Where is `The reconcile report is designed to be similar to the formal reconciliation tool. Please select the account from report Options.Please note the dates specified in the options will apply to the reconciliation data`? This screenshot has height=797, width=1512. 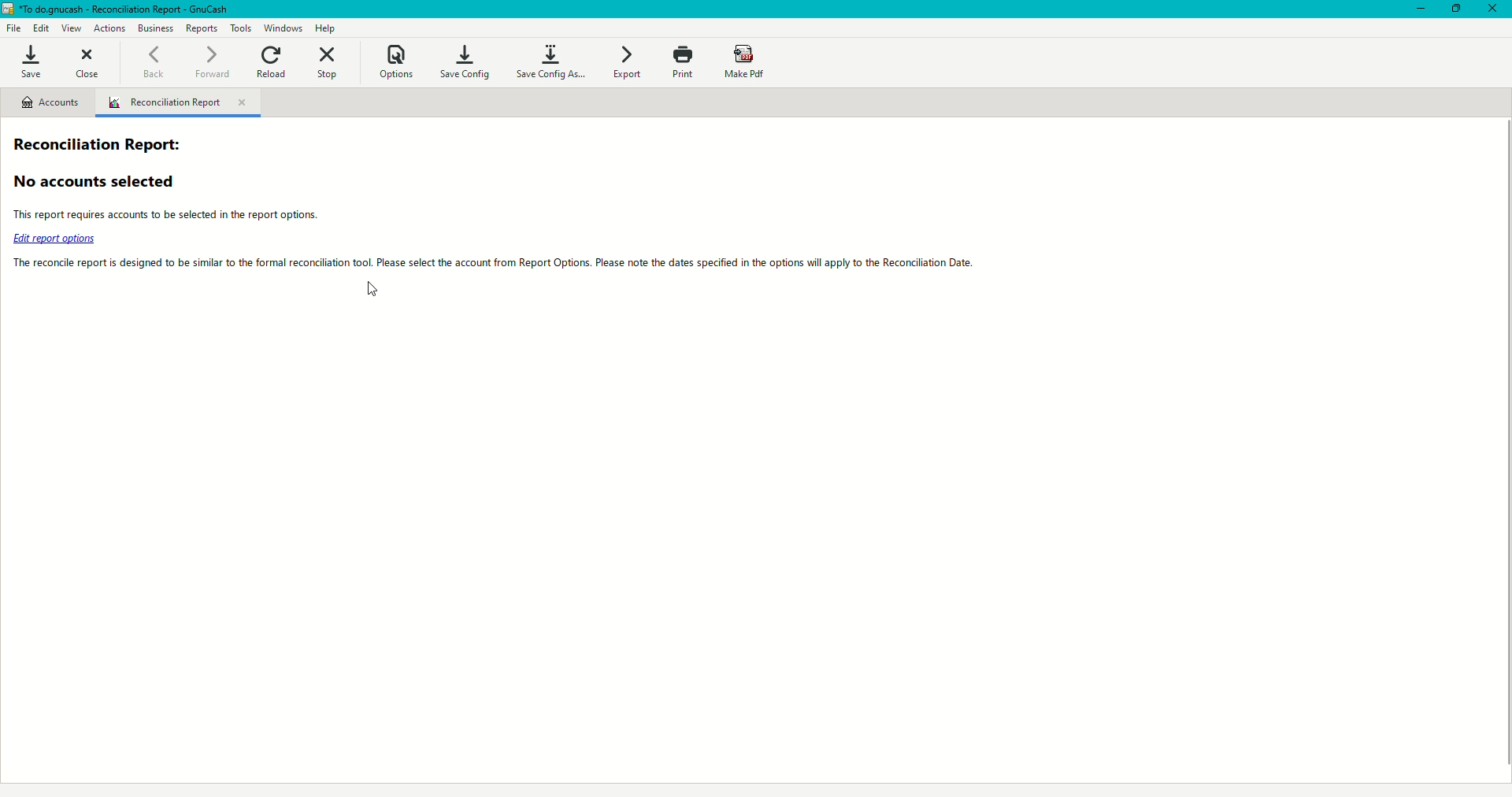 The reconcile report is designed to be similar to the formal reconciliation tool. Please select the account from report Options.Please note the dates specified in the options will apply to the reconciliation data is located at coordinates (496, 264).